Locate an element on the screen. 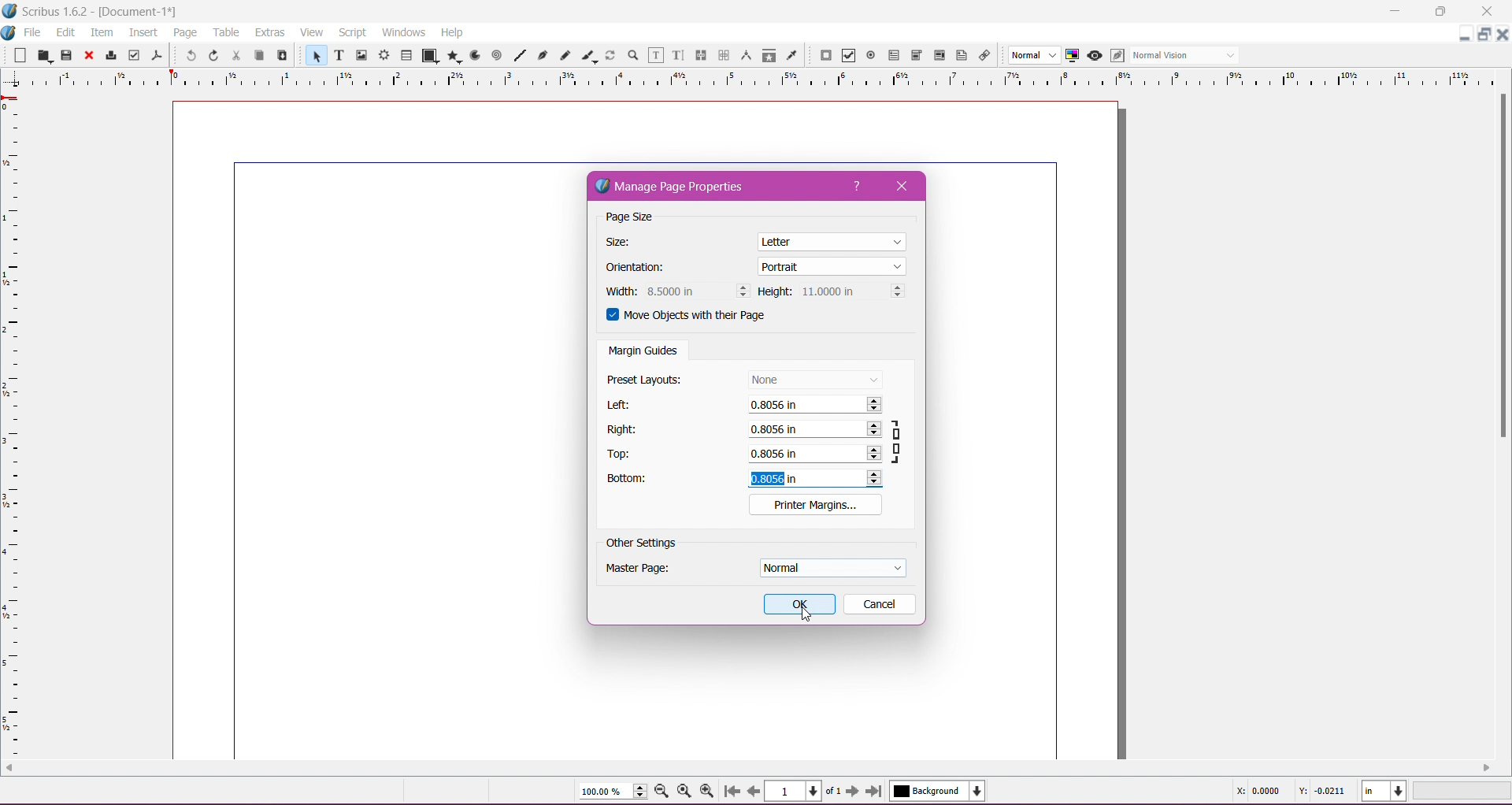 The image size is (1512, 805). Save as PDF is located at coordinates (158, 54).